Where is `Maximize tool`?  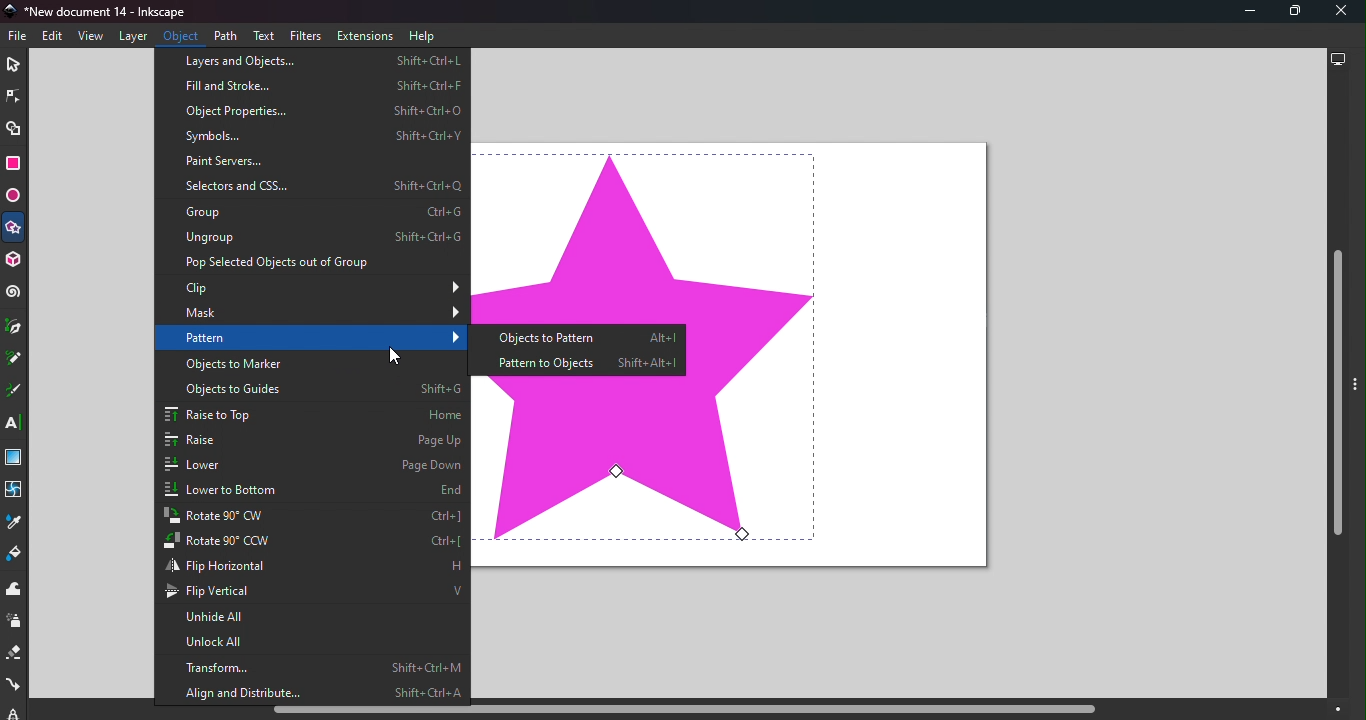
Maximize tool is located at coordinates (1290, 11).